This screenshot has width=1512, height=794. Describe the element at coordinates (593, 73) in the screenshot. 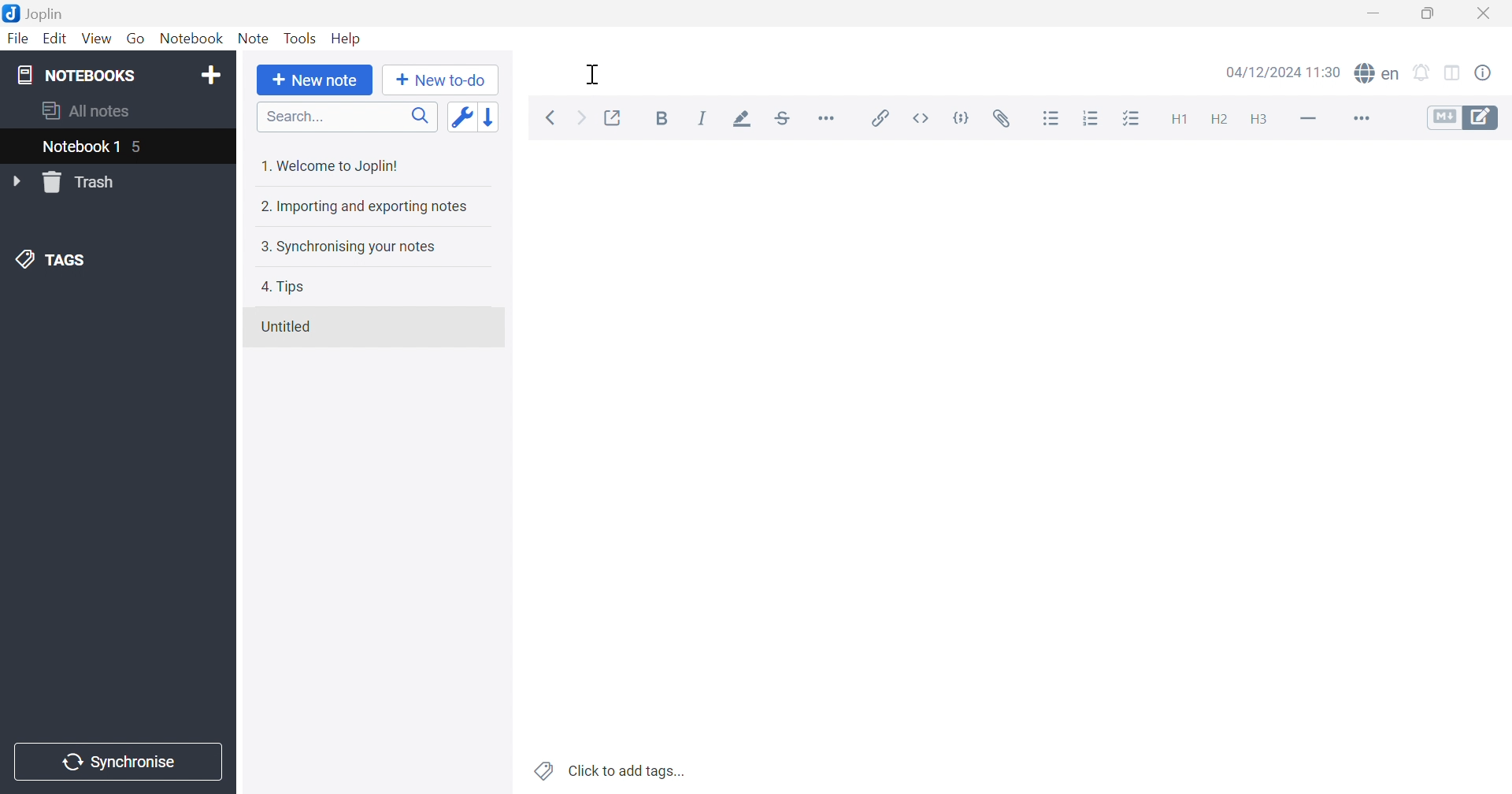

I see `Cursor` at that location.